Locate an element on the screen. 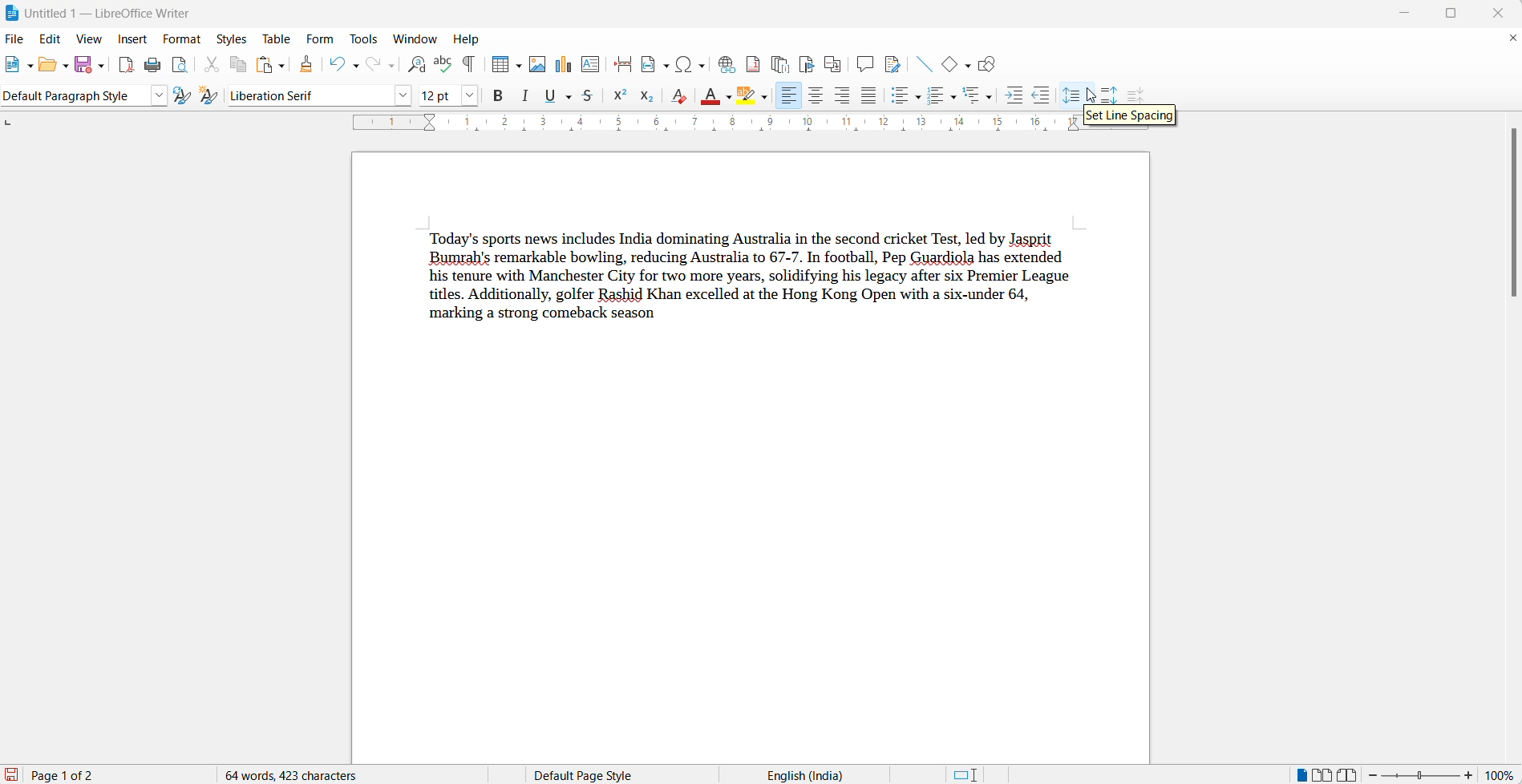 This screenshot has width=1522, height=784. insert text is located at coordinates (590, 64).